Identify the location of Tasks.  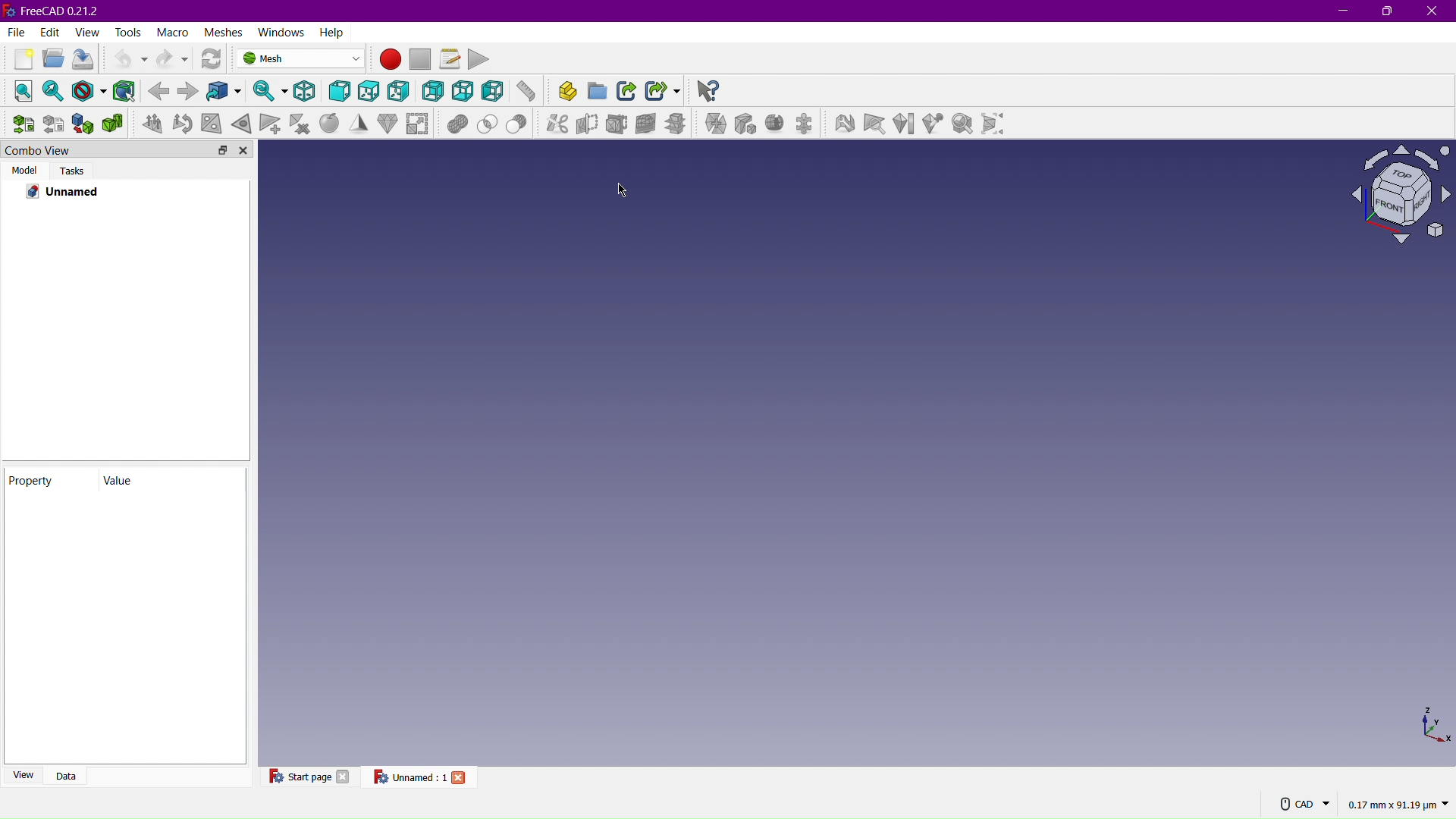
(74, 170).